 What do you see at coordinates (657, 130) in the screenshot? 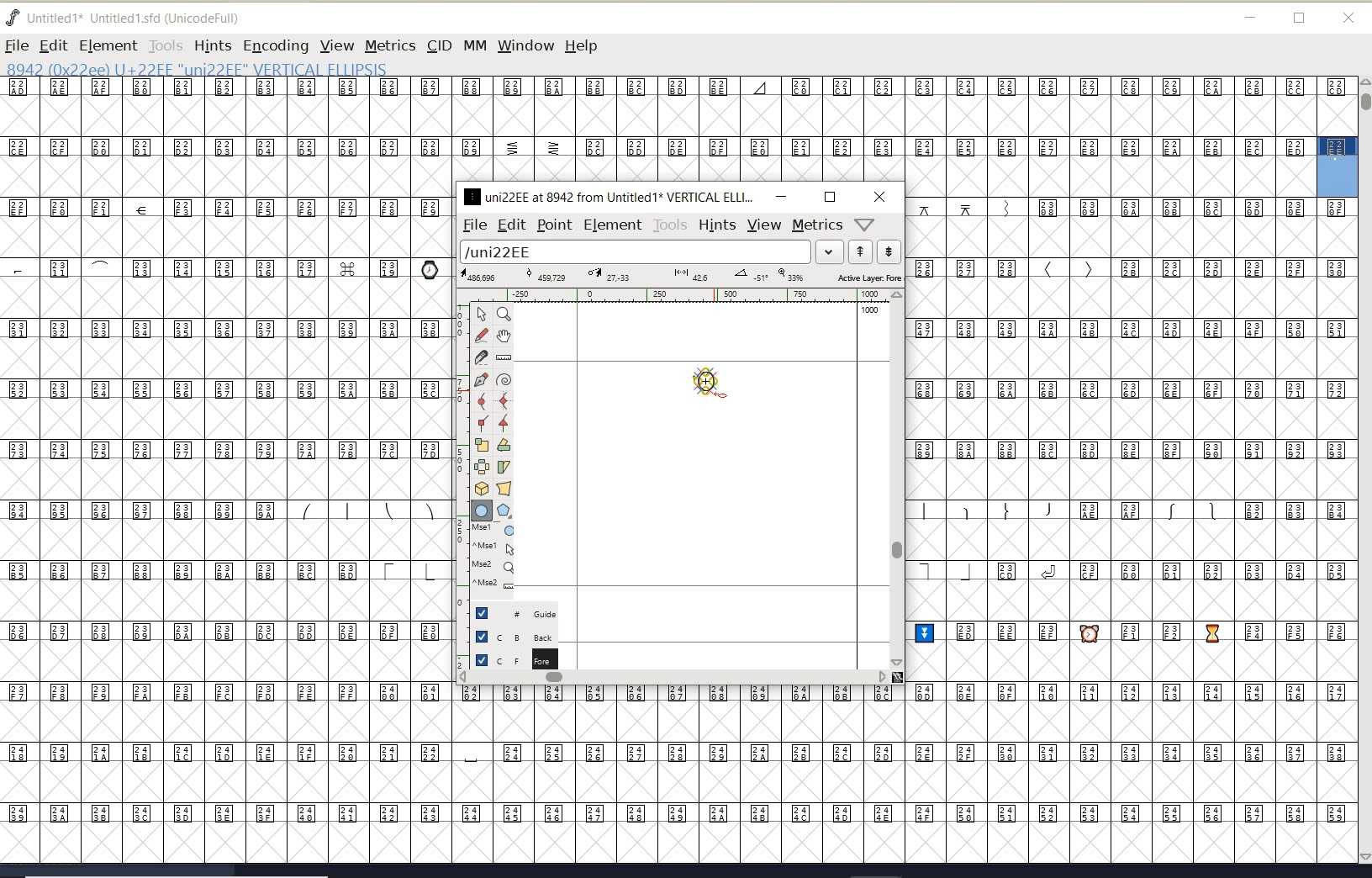
I see `GLYPHY CHARACTERS & NUMBERS` at bounding box center [657, 130].